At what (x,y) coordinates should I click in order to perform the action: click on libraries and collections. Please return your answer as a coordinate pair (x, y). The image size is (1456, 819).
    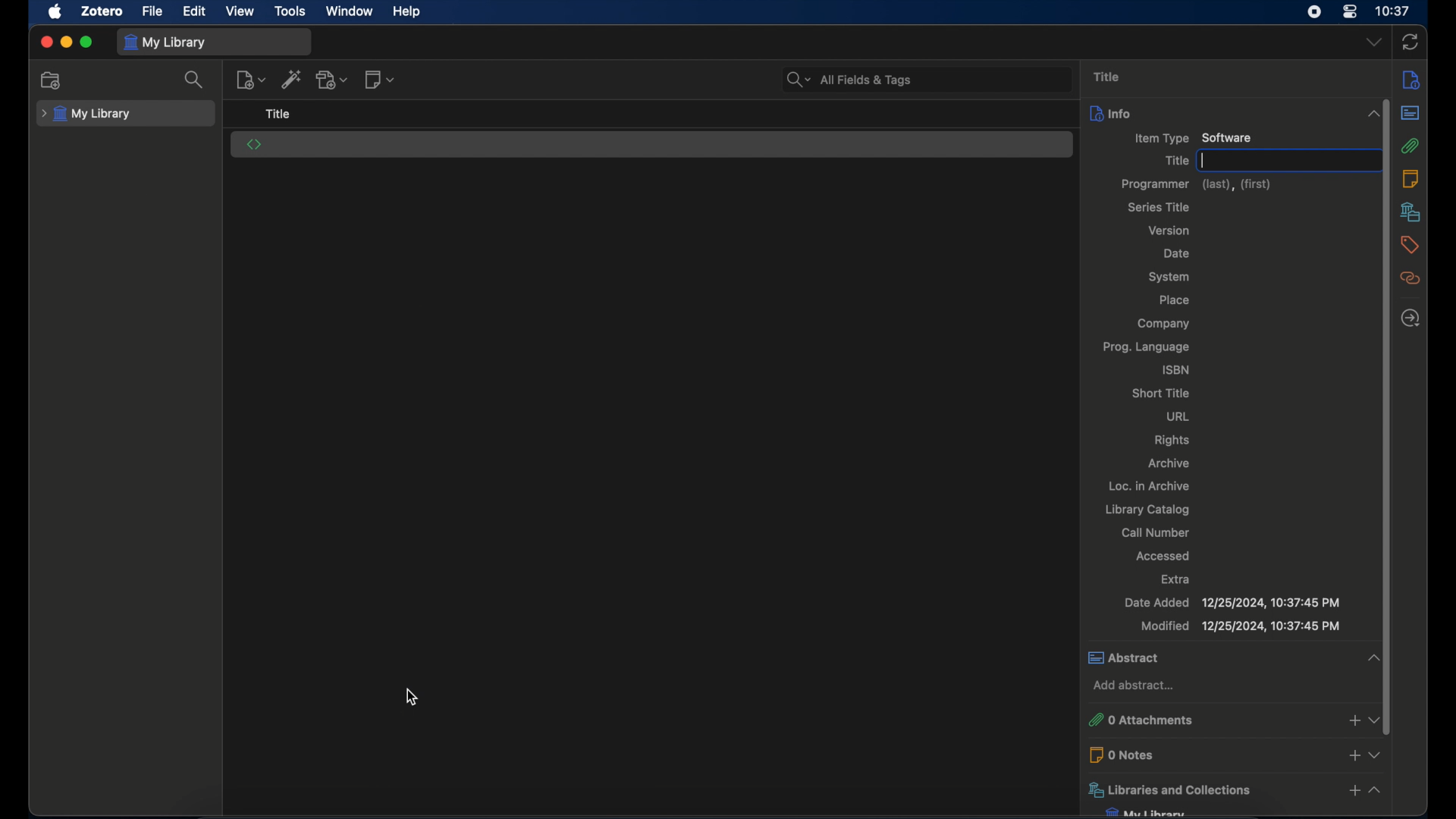
    Looking at the image, I should click on (1210, 790).